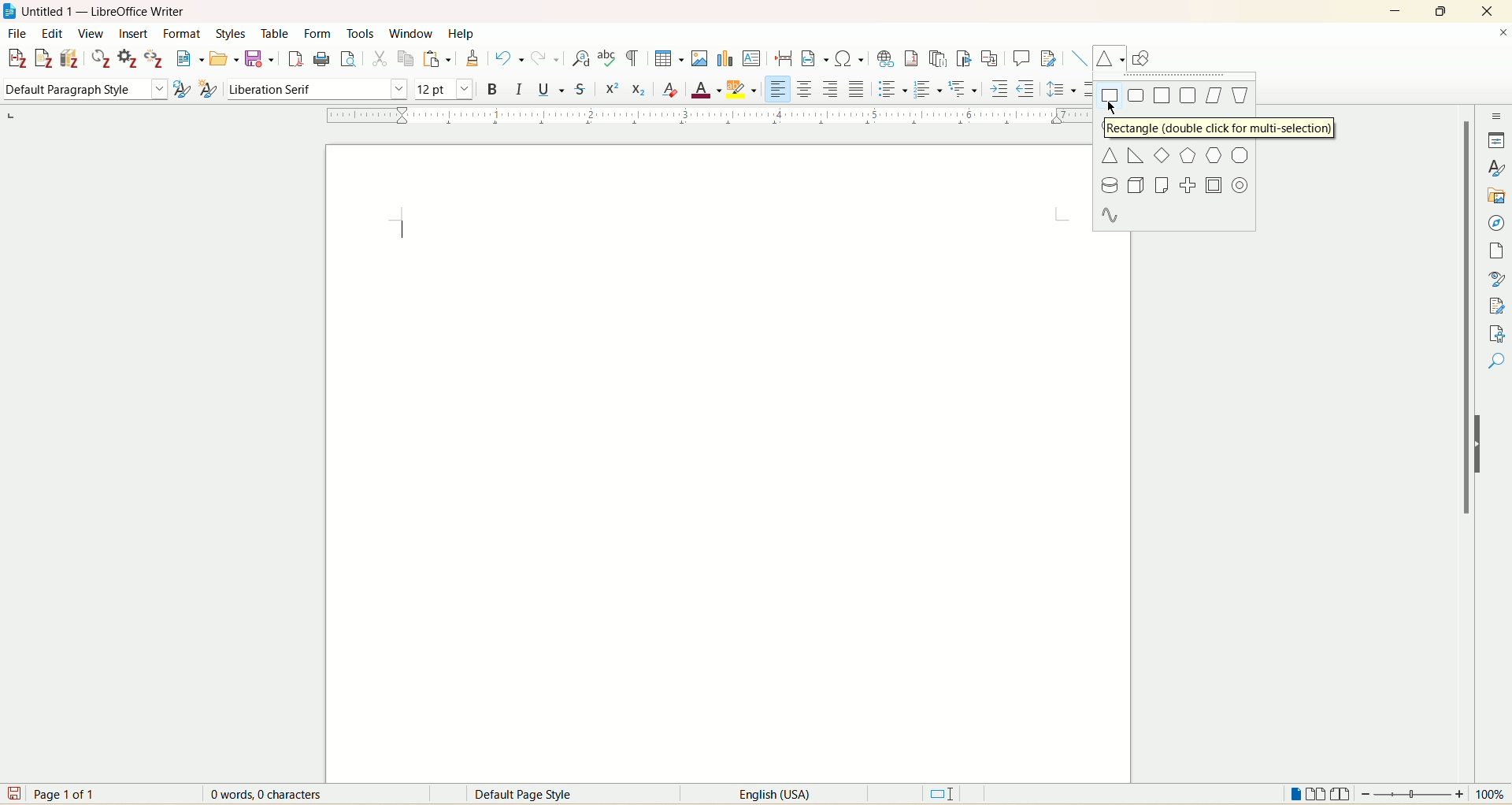  What do you see at coordinates (1137, 95) in the screenshot?
I see `rounded rectangle` at bounding box center [1137, 95].